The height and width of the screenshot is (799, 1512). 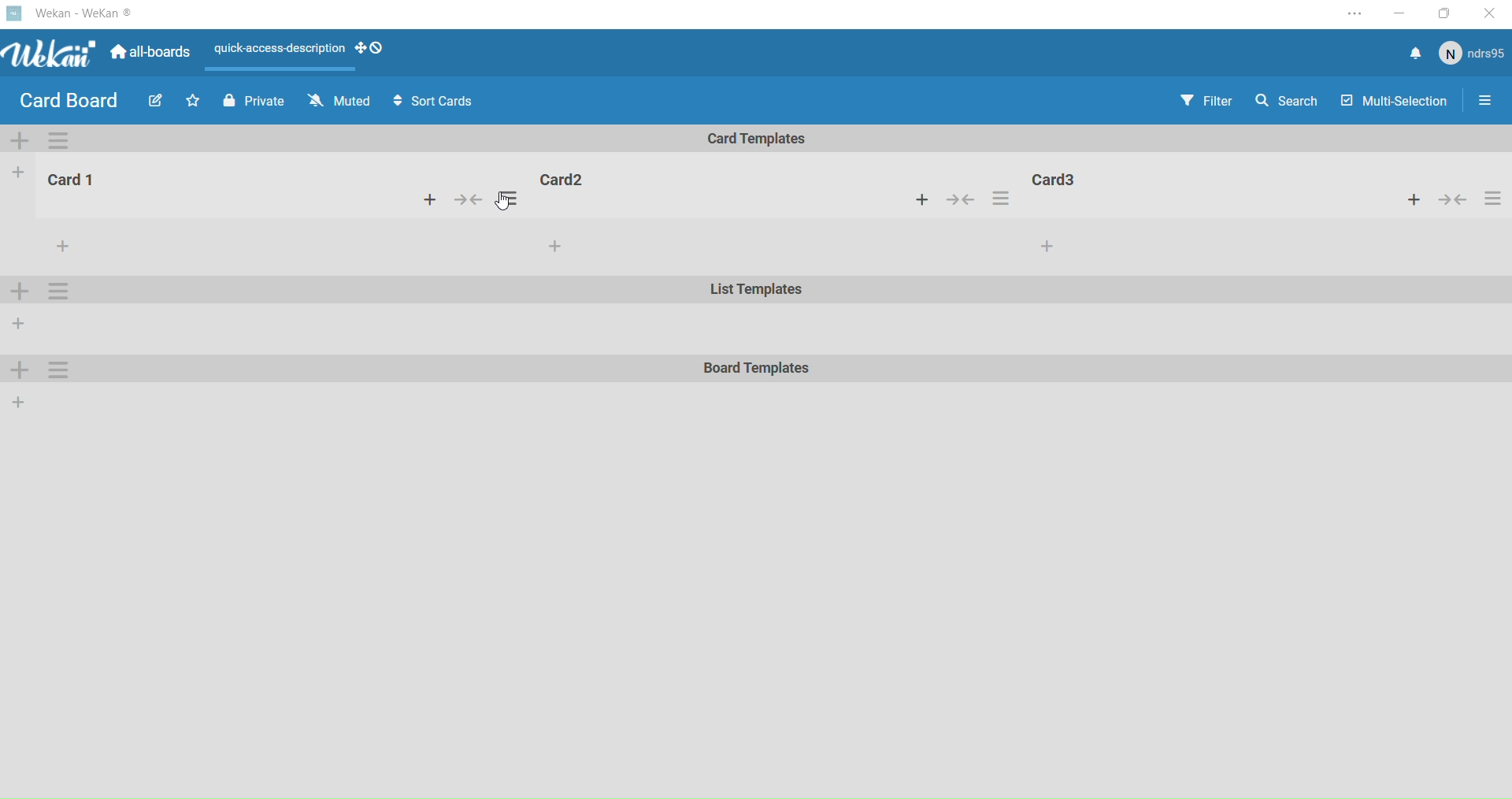 I want to click on Actions, so click(x=1455, y=200).